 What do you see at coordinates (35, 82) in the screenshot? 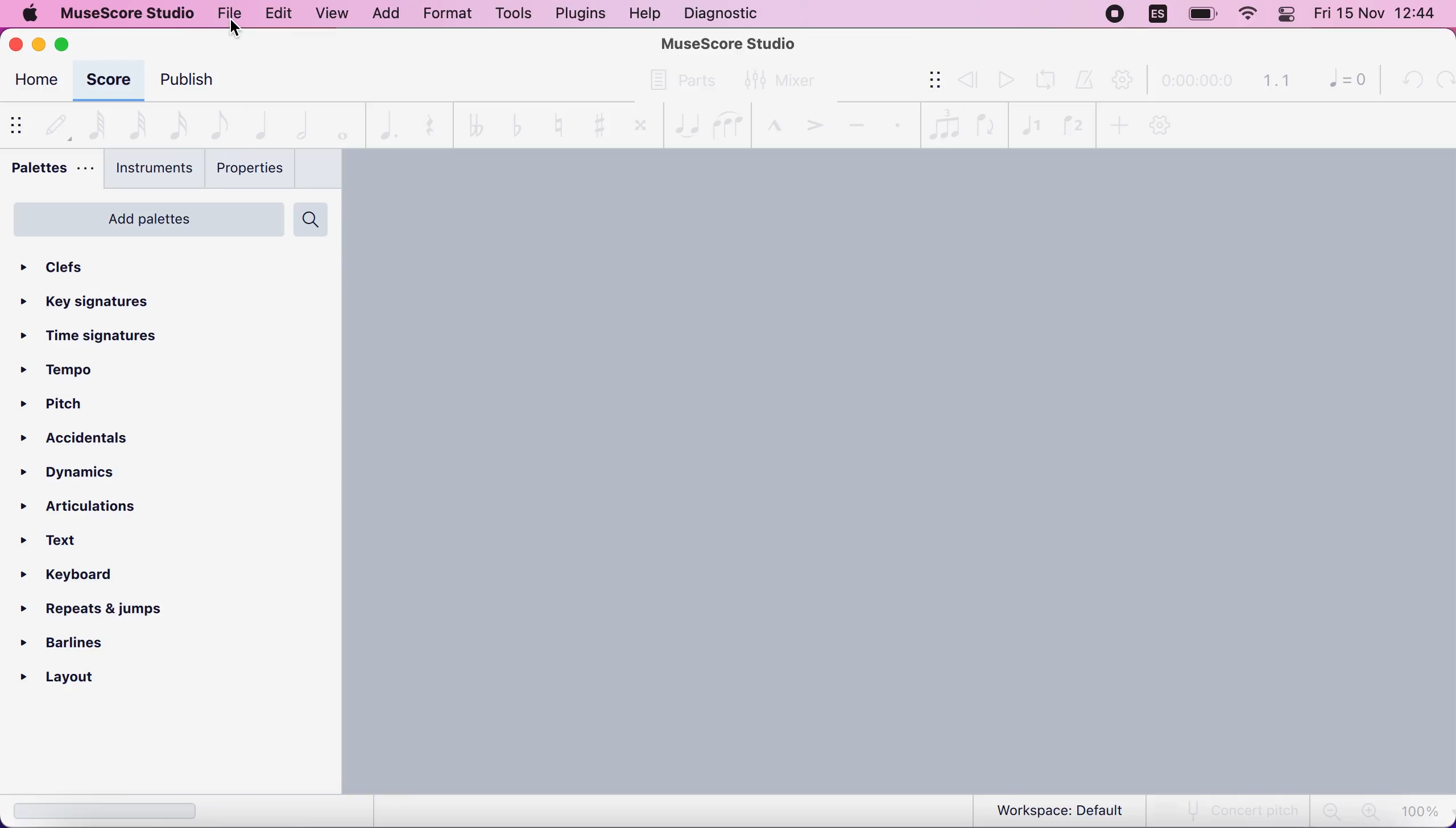
I see `home` at bounding box center [35, 82].